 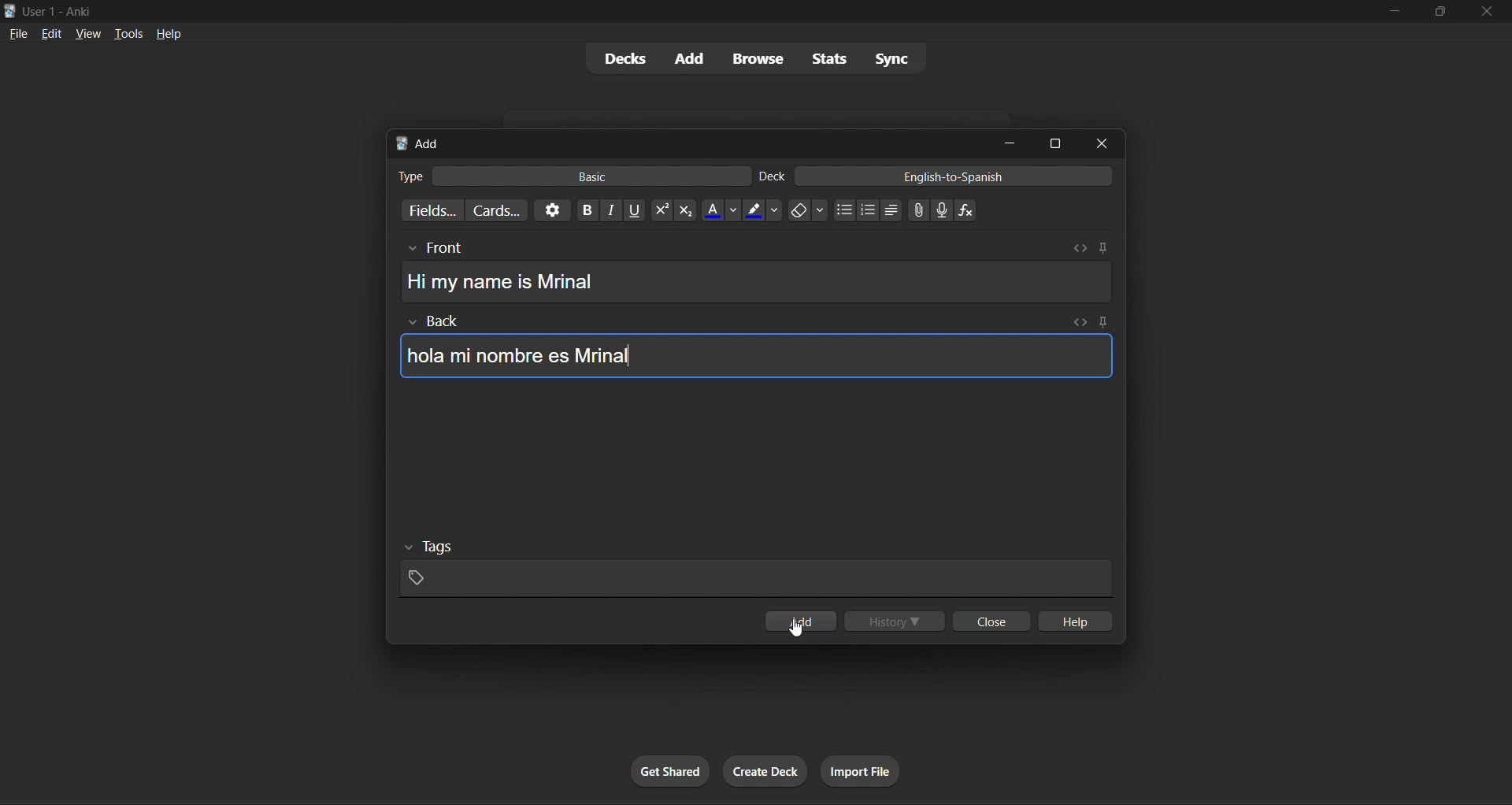 I want to click on card front english text box , so click(x=754, y=273).